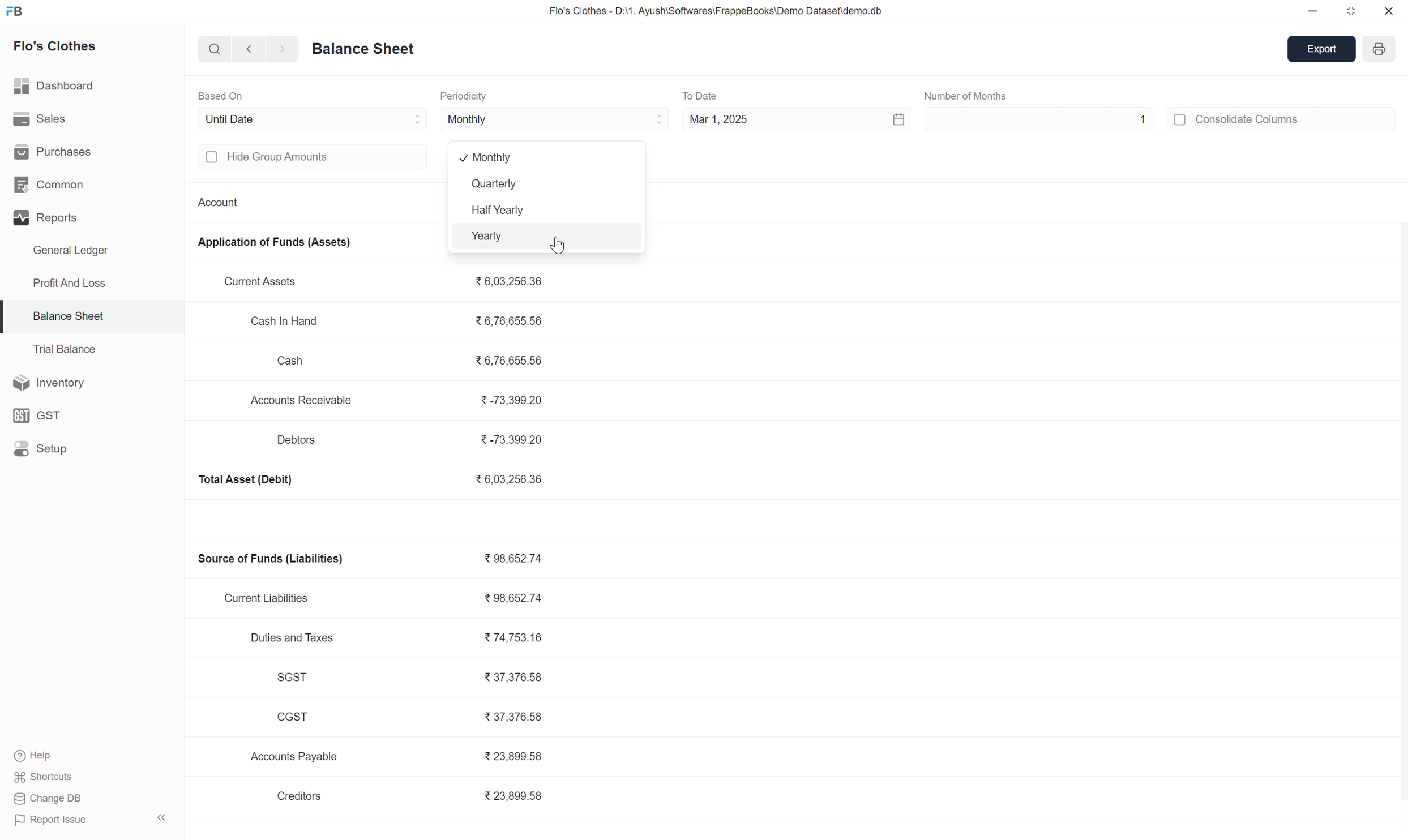 The height and width of the screenshot is (840, 1408). Describe the element at coordinates (495, 183) in the screenshot. I see `Quarterly` at that location.